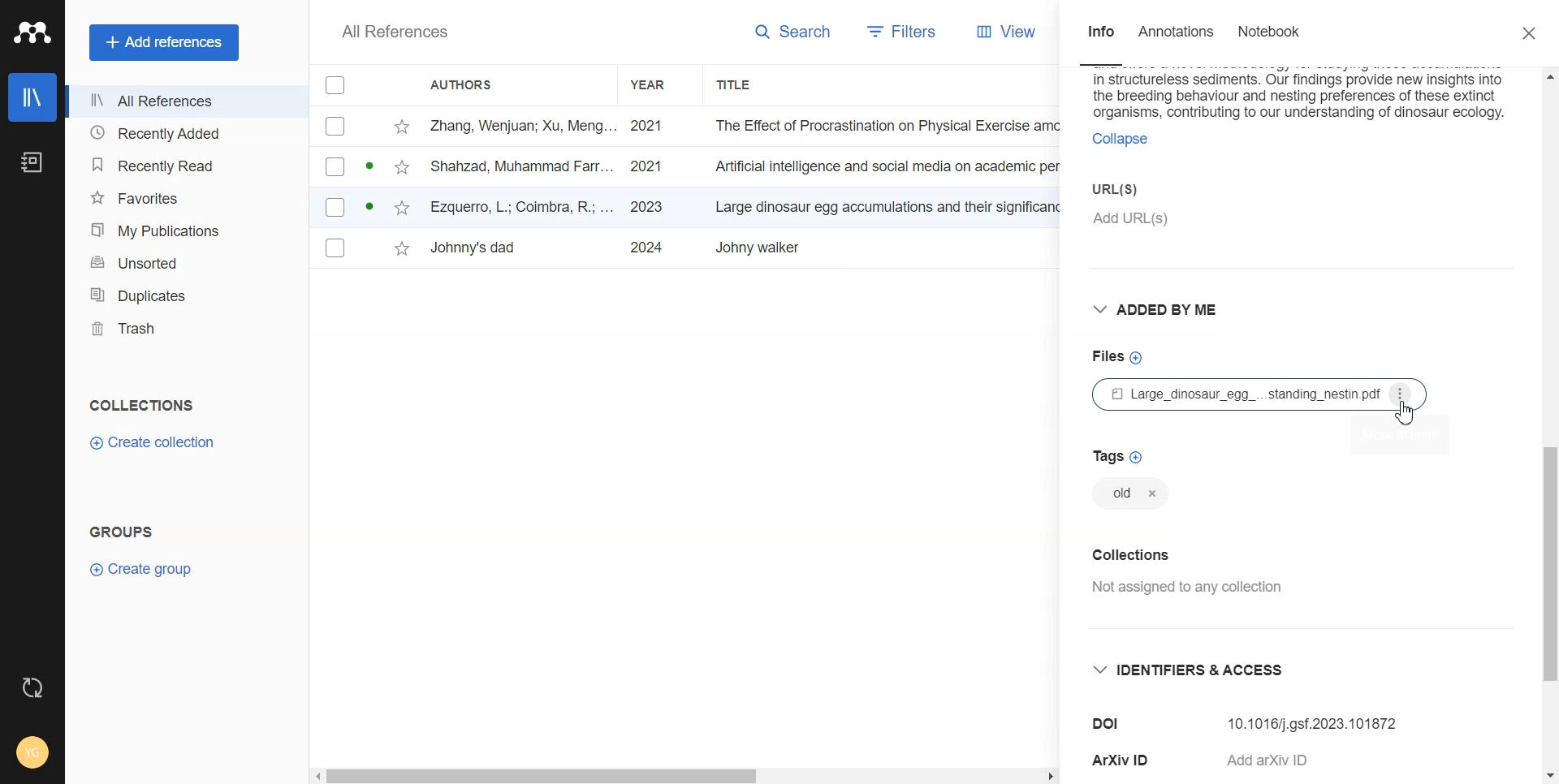 Image resolution: width=1559 pixels, height=784 pixels. Describe the element at coordinates (32, 97) in the screenshot. I see `Library` at that location.